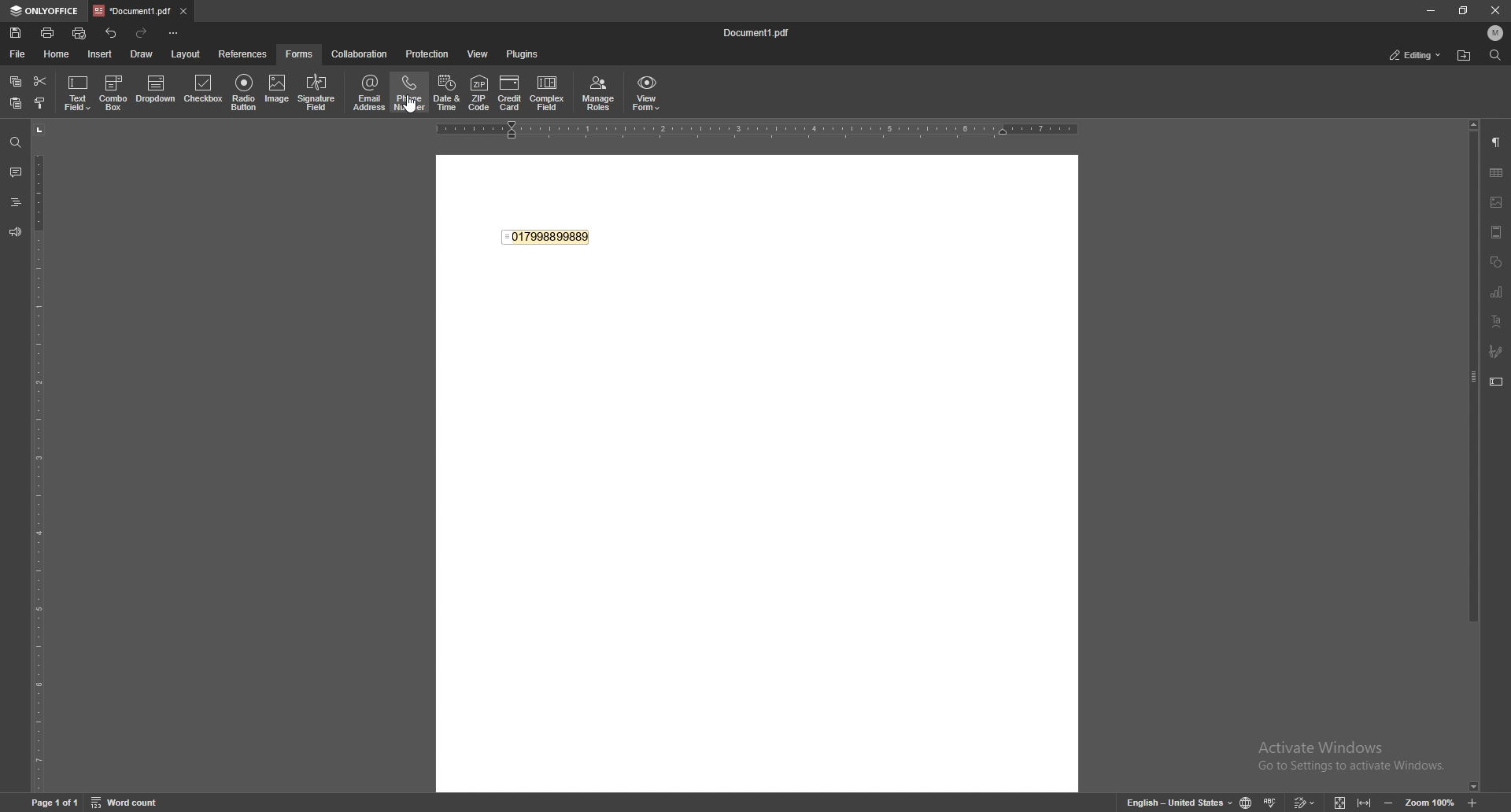 The image size is (1511, 812). I want to click on signature, so click(1494, 352).